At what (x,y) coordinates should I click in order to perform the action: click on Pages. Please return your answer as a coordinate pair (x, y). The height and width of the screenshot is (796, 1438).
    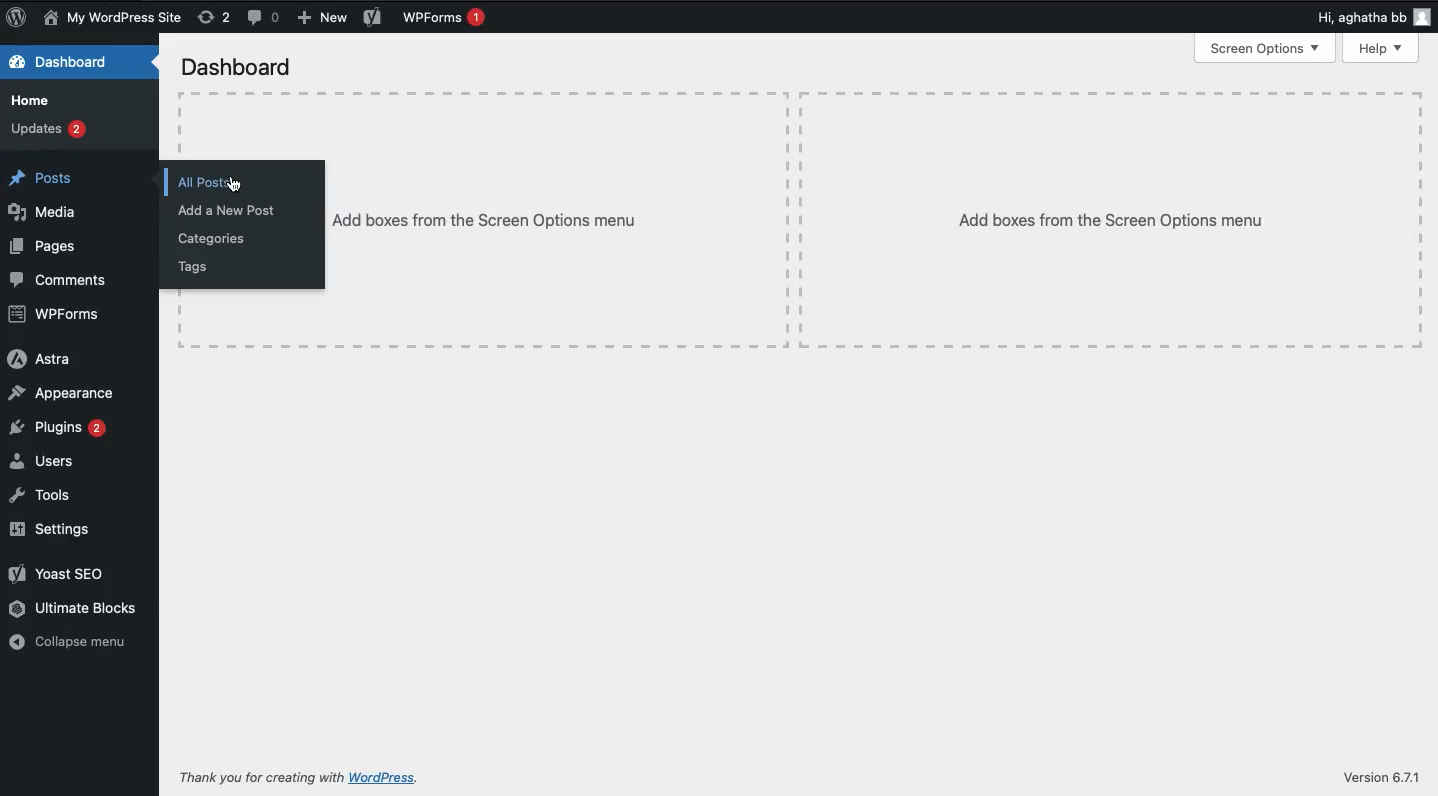
    Looking at the image, I should click on (50, 249).